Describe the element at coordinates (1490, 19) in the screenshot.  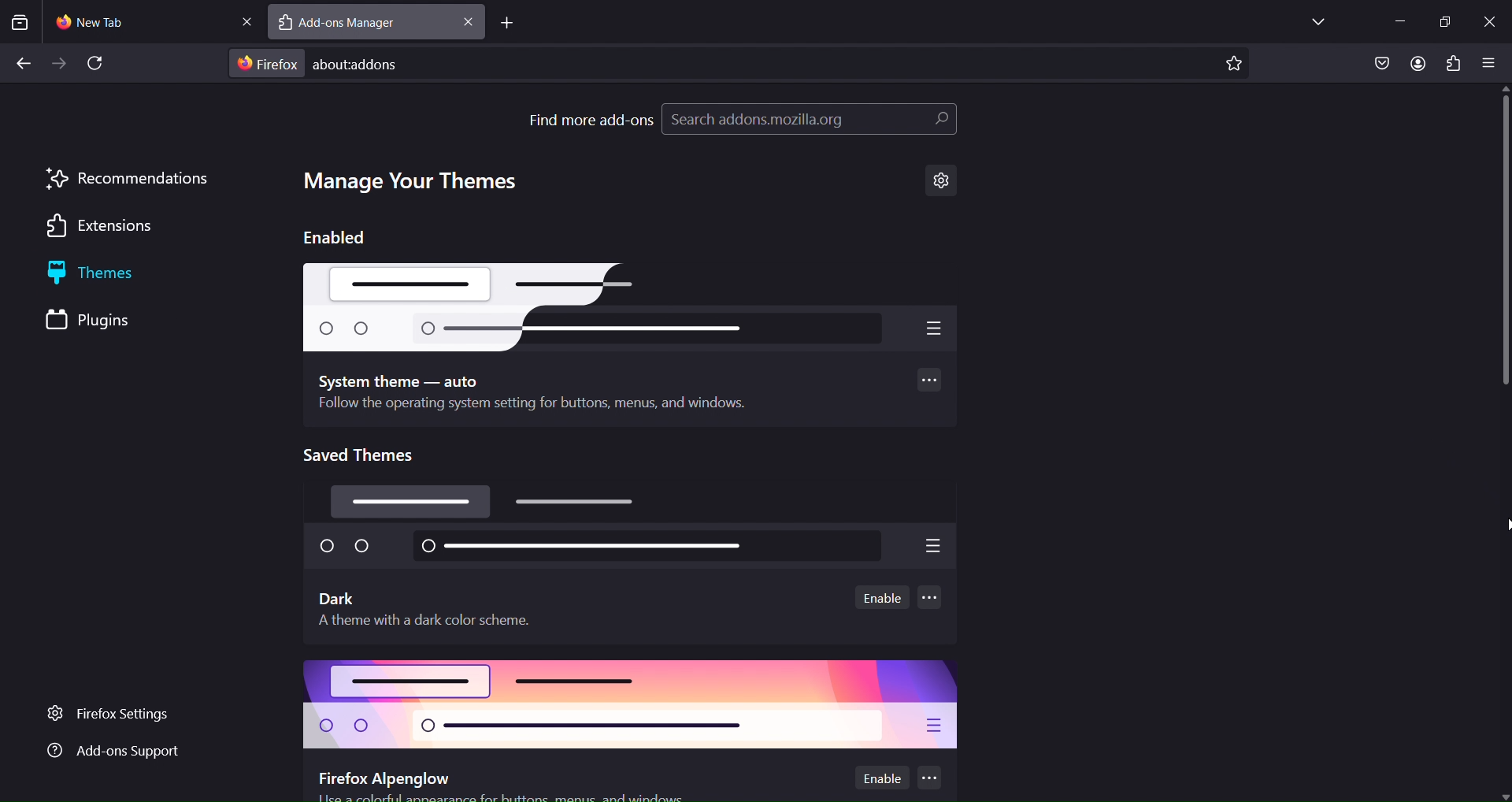
I see `close` at that location.